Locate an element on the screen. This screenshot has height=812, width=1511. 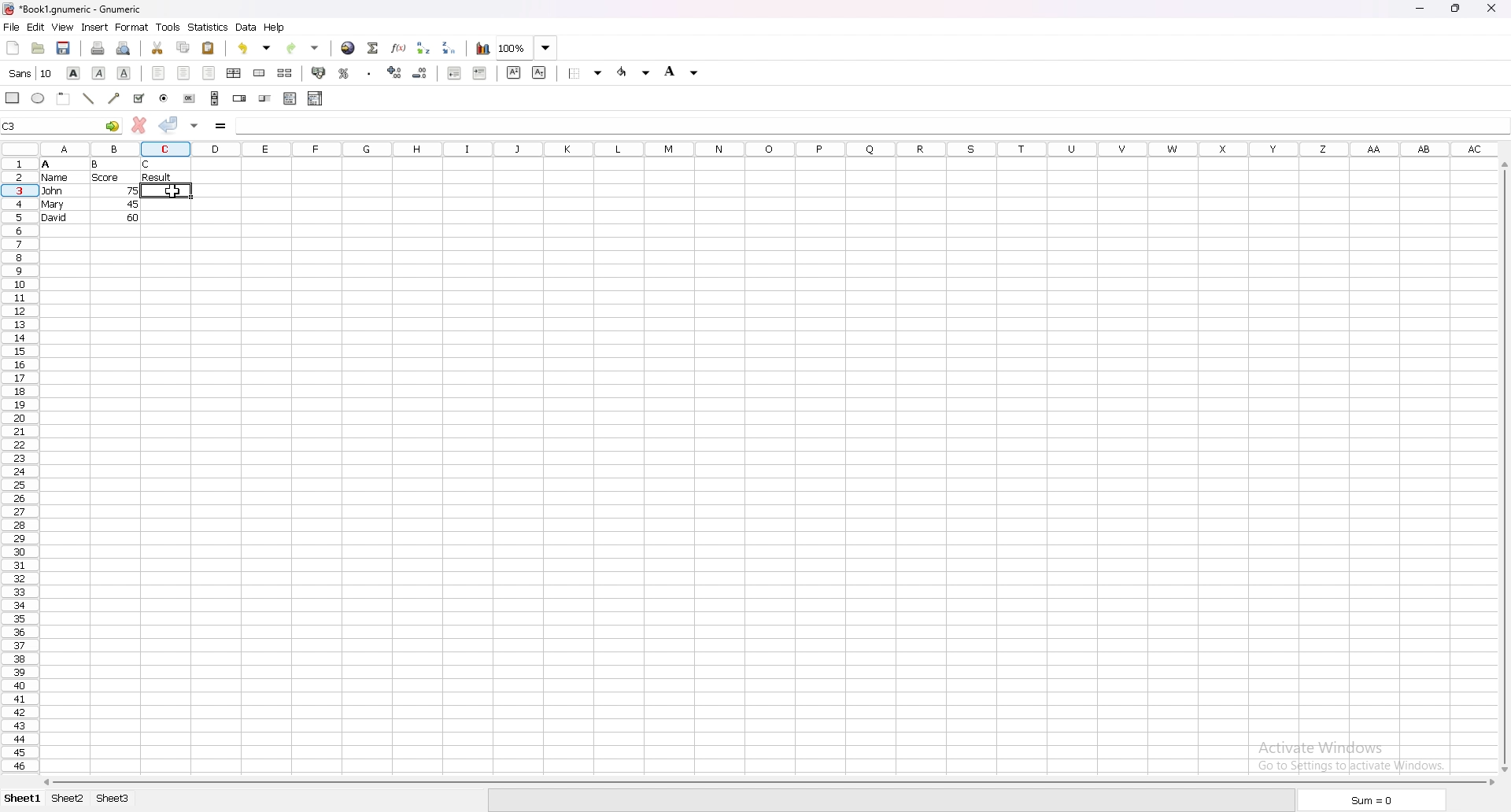
paste is located at coordinates (209, 48).